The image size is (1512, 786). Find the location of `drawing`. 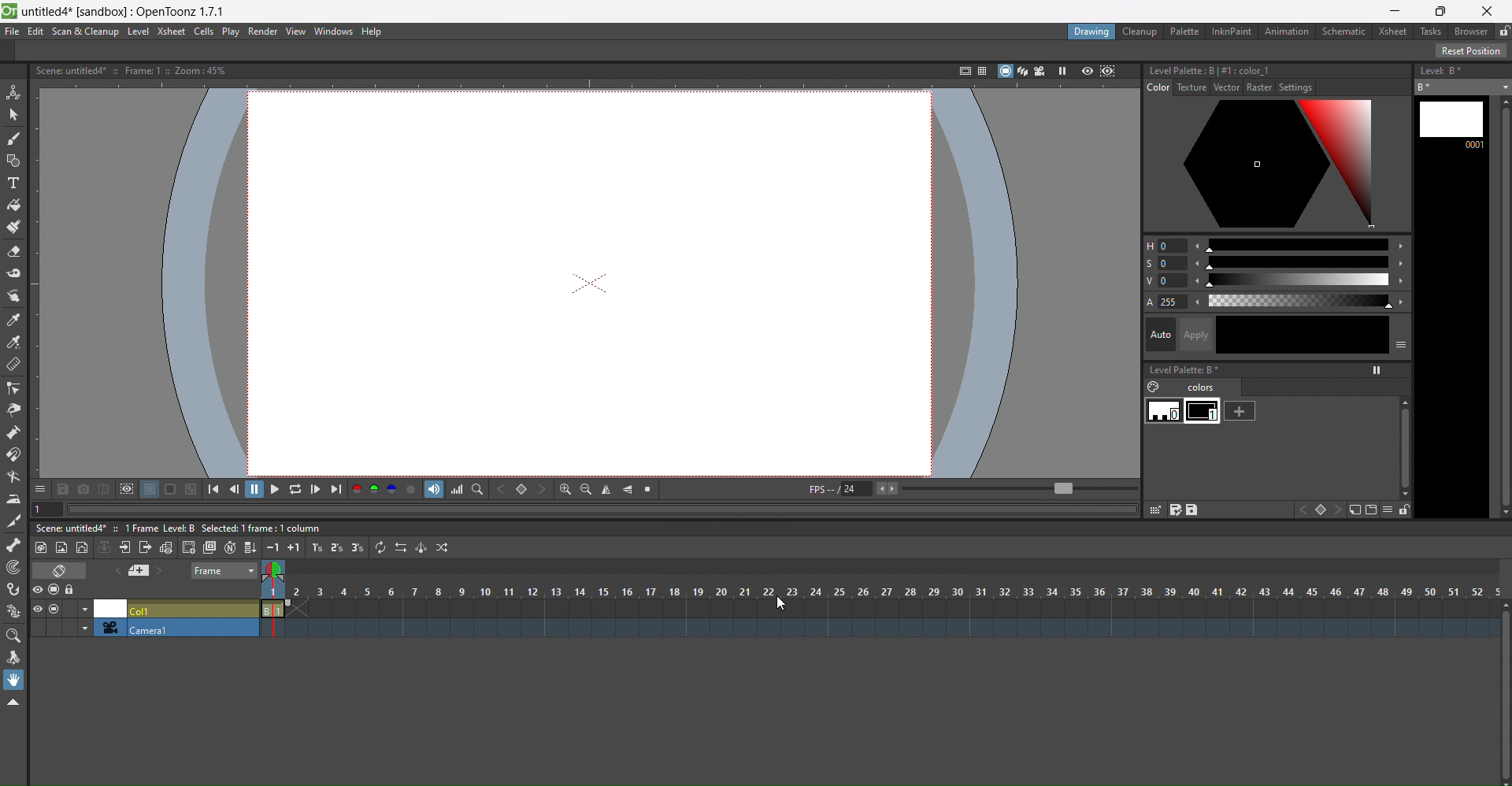

drawing is located at coordinates (1092, 33).